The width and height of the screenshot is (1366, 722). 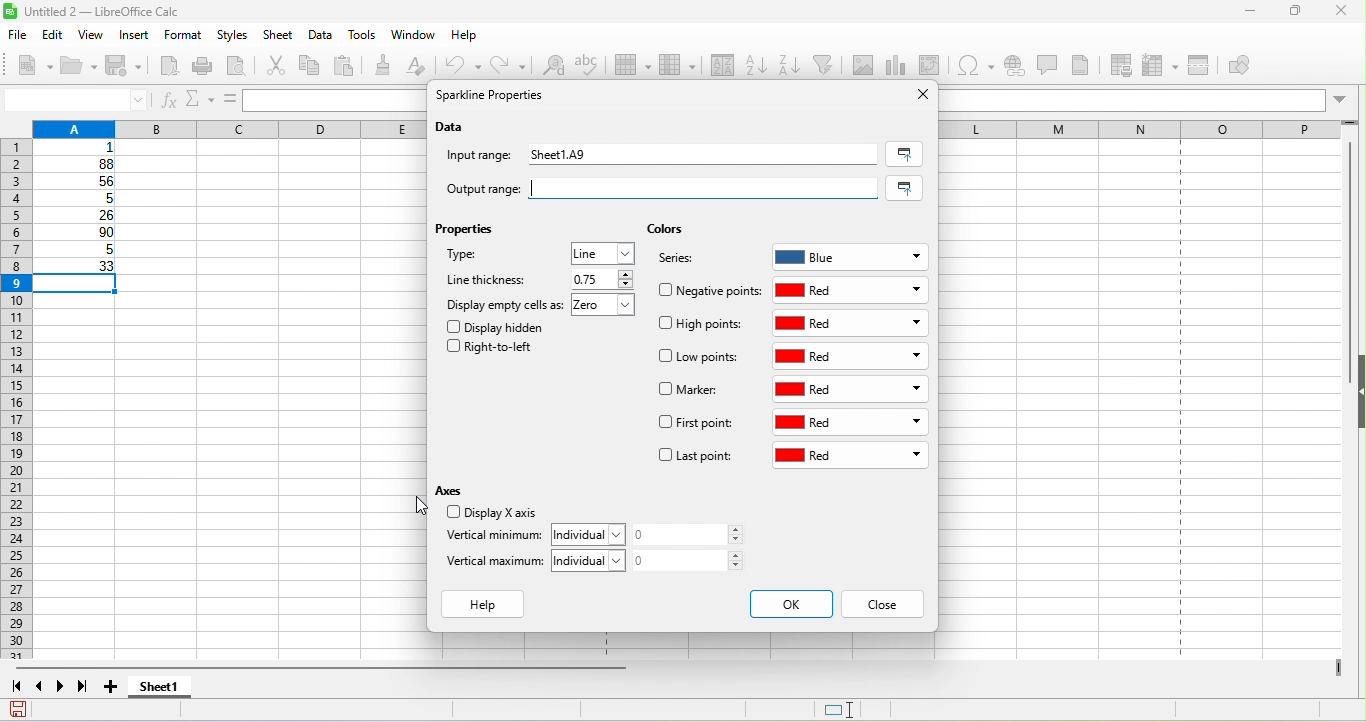 I want to click on rows, so click(x=15, y=401).